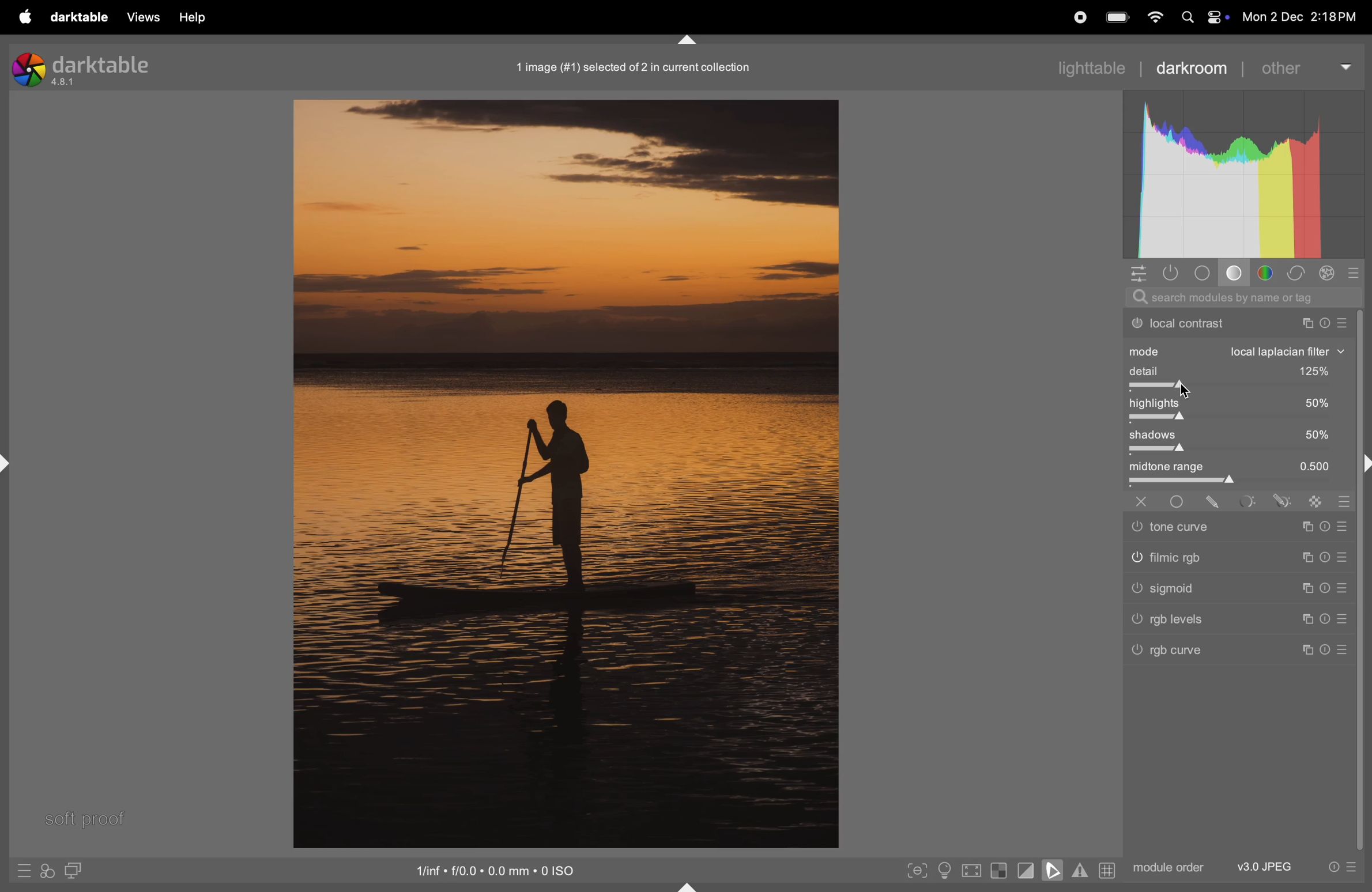  I want to click on sign, so click(1314, 504).